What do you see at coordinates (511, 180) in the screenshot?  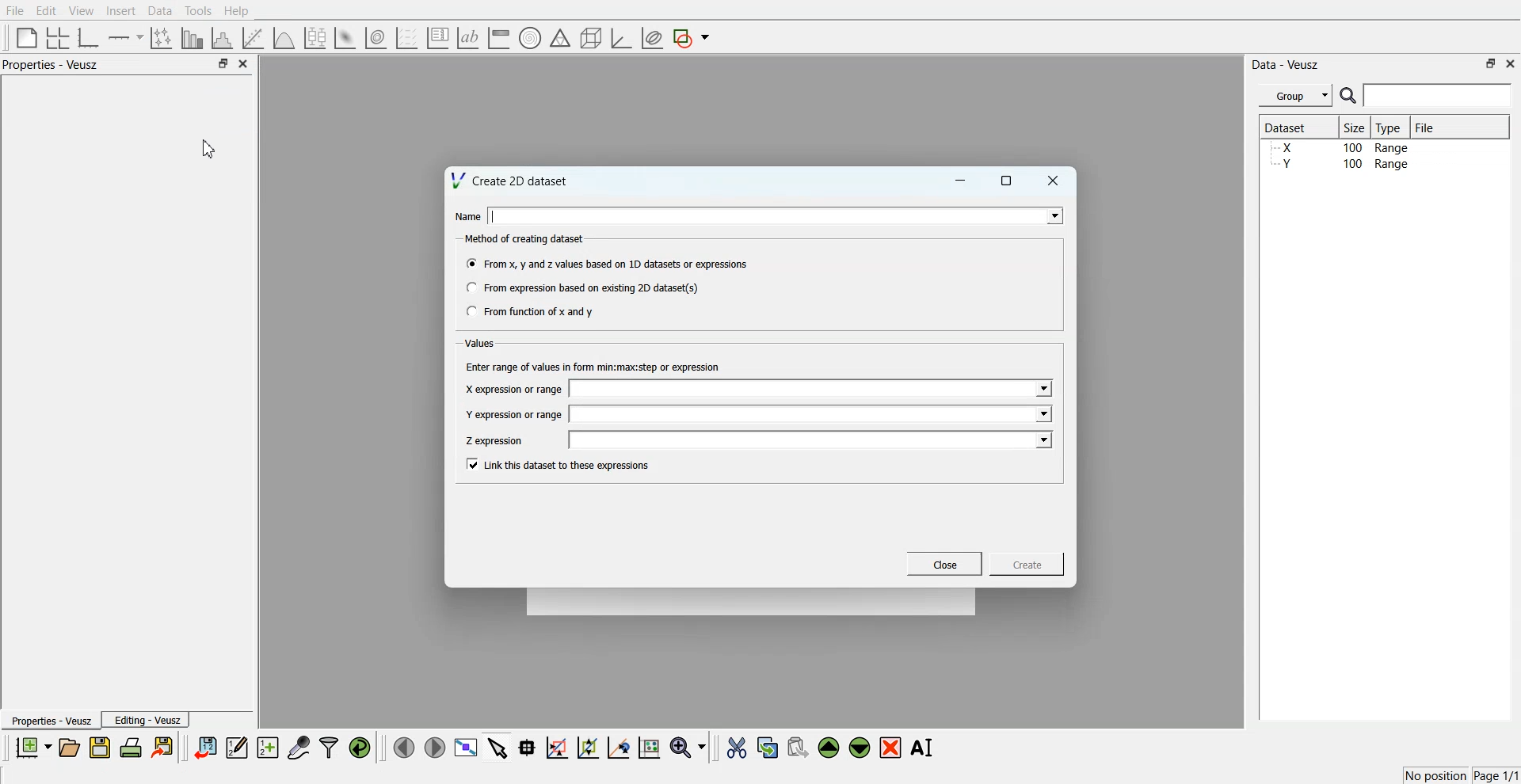 I see `V/ Create 2D dataset` at bounding box center [511, 180].